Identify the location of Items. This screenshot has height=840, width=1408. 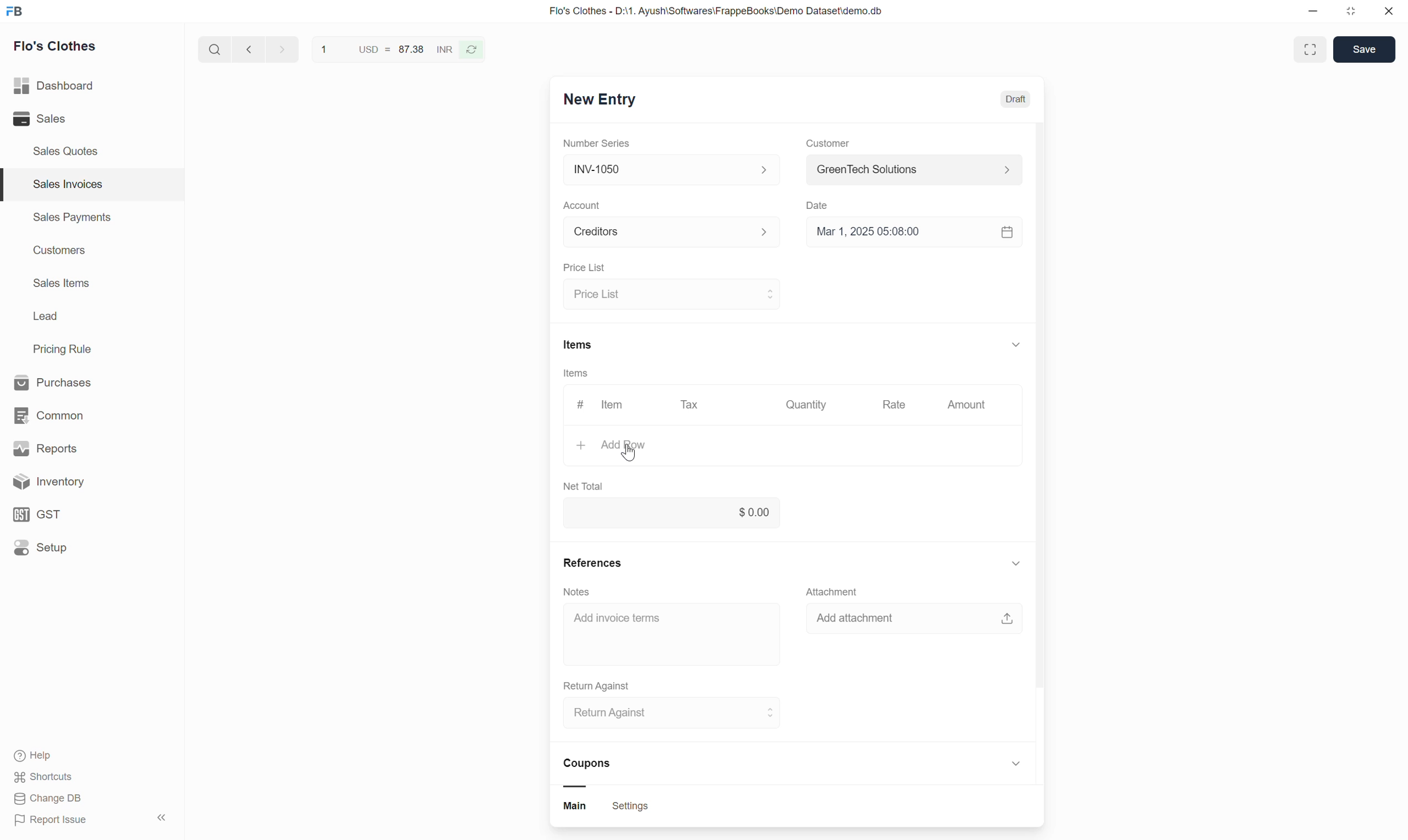
(577, 344).